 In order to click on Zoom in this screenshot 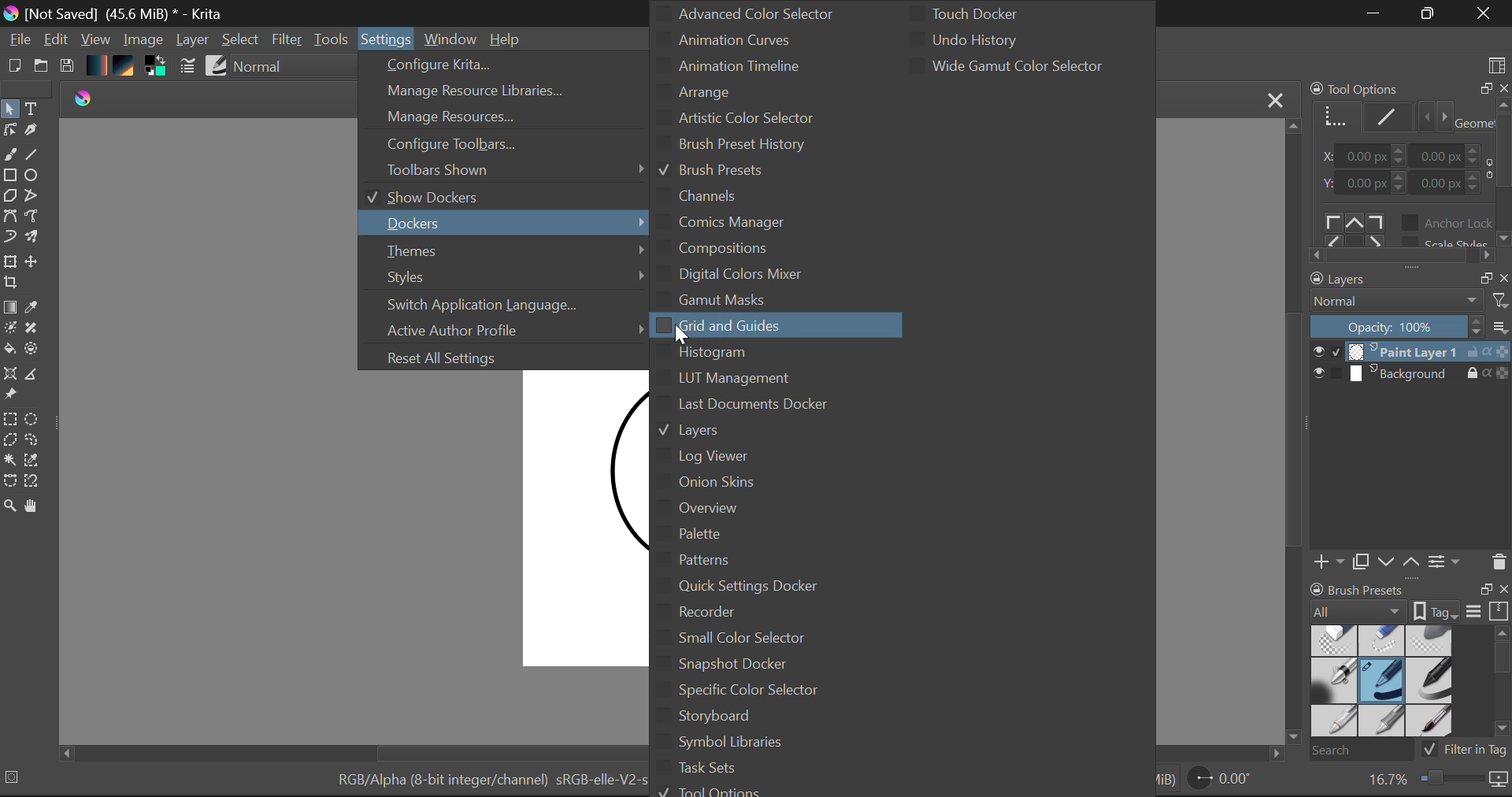, I will do `click(9, 505)`.